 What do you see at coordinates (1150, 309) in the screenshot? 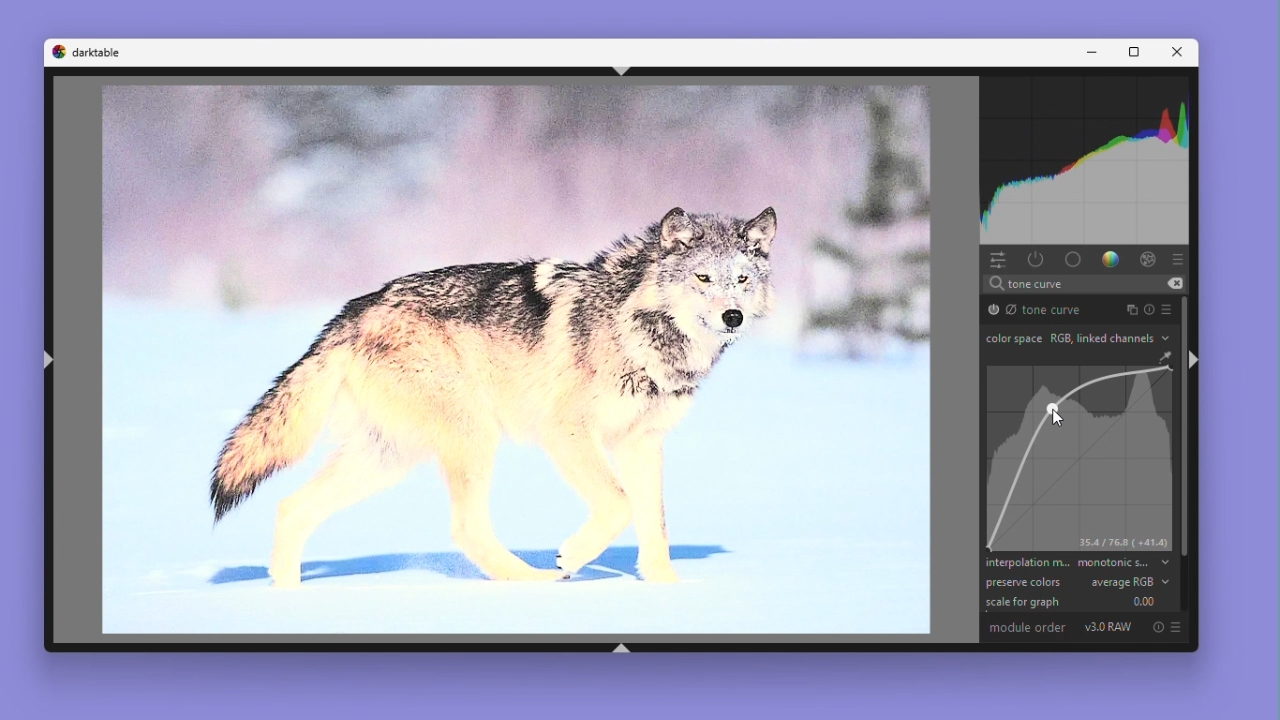
I see `Reset parameters` at bounding box center [1150, 309].